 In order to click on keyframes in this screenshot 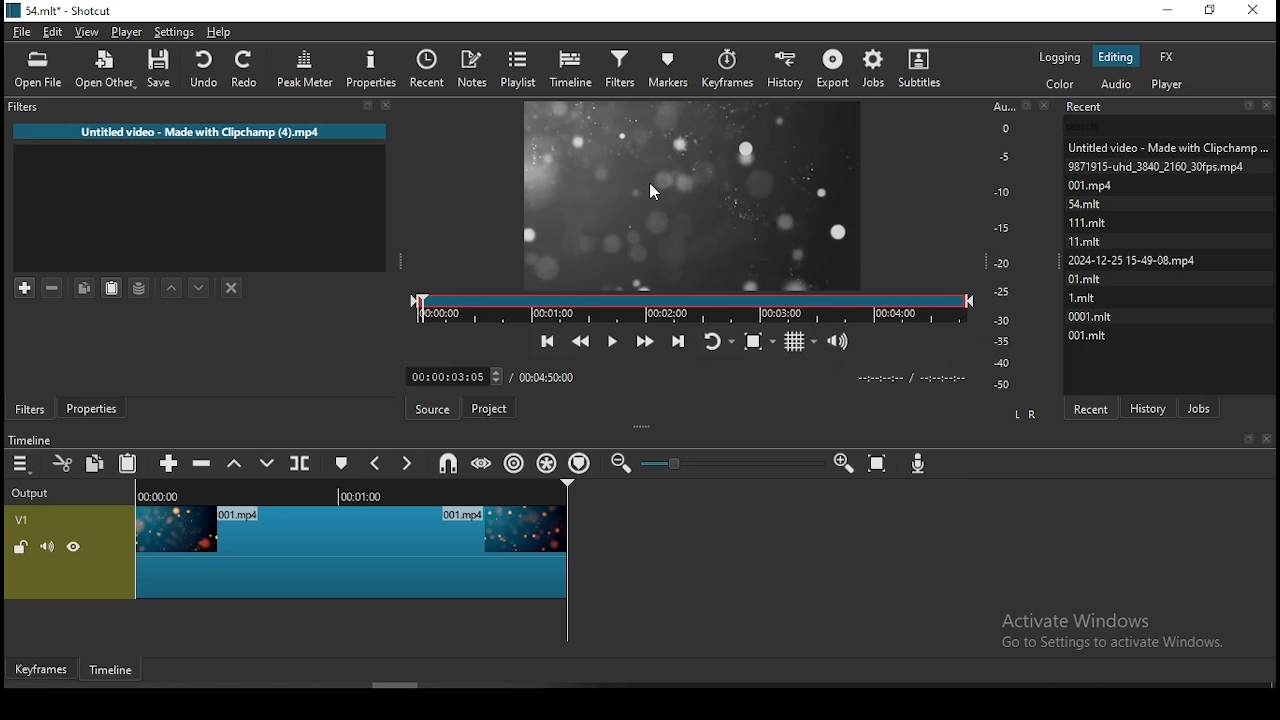, I will do `click(729, 69)`.